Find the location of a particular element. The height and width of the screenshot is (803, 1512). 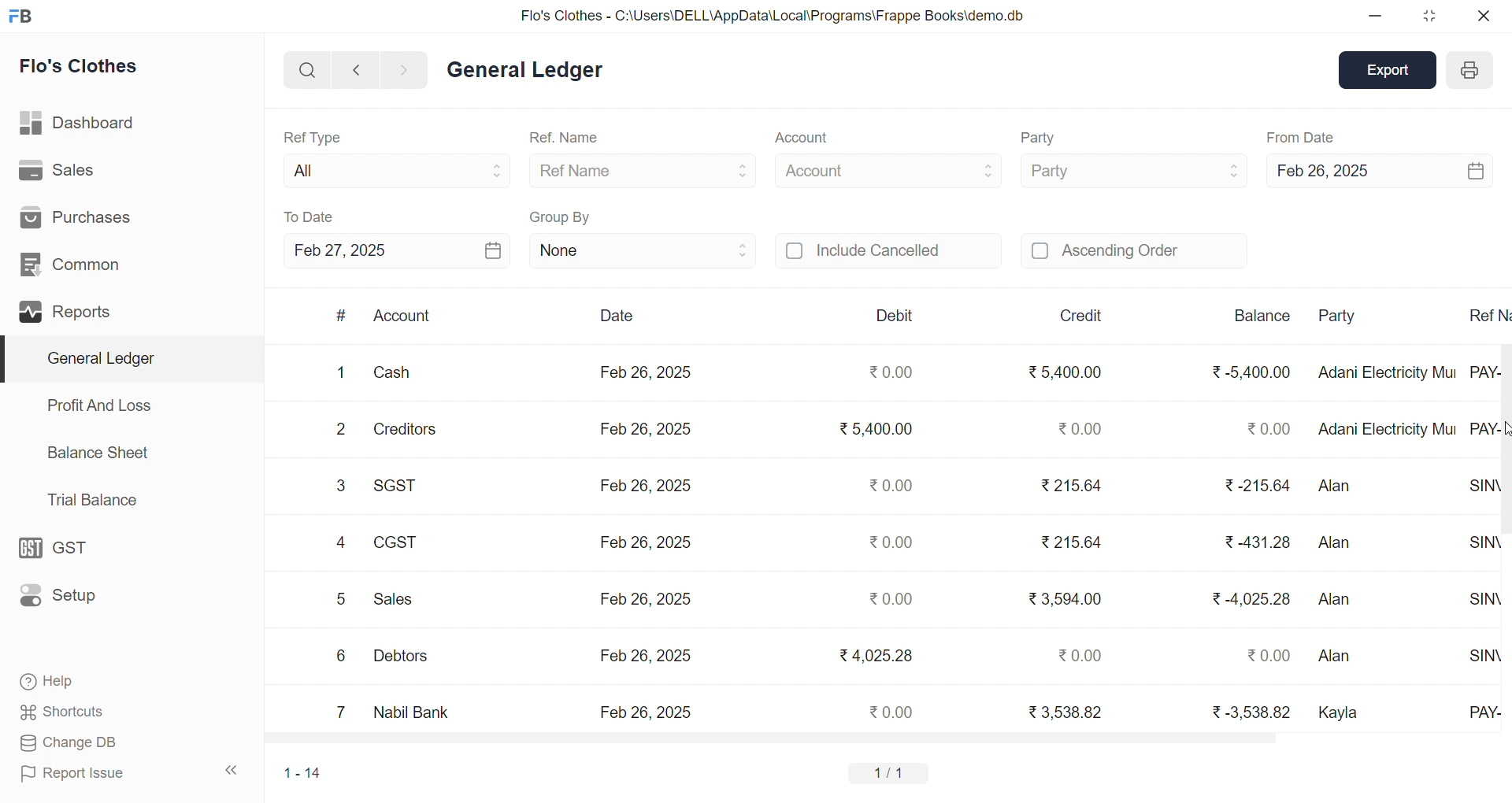

₹ 215.64 is located at coordinates (1072, 544).